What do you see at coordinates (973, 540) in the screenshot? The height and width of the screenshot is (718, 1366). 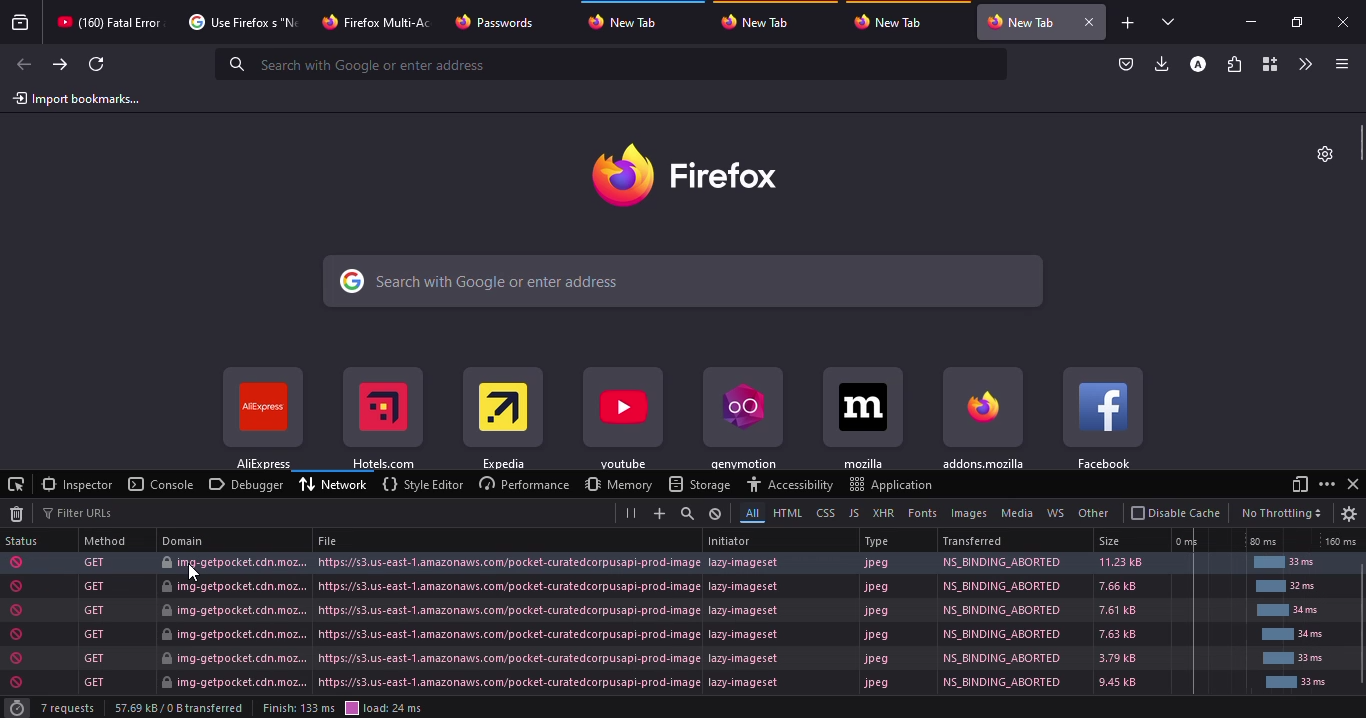 I see `transferred` at bounding box center [973, 540].